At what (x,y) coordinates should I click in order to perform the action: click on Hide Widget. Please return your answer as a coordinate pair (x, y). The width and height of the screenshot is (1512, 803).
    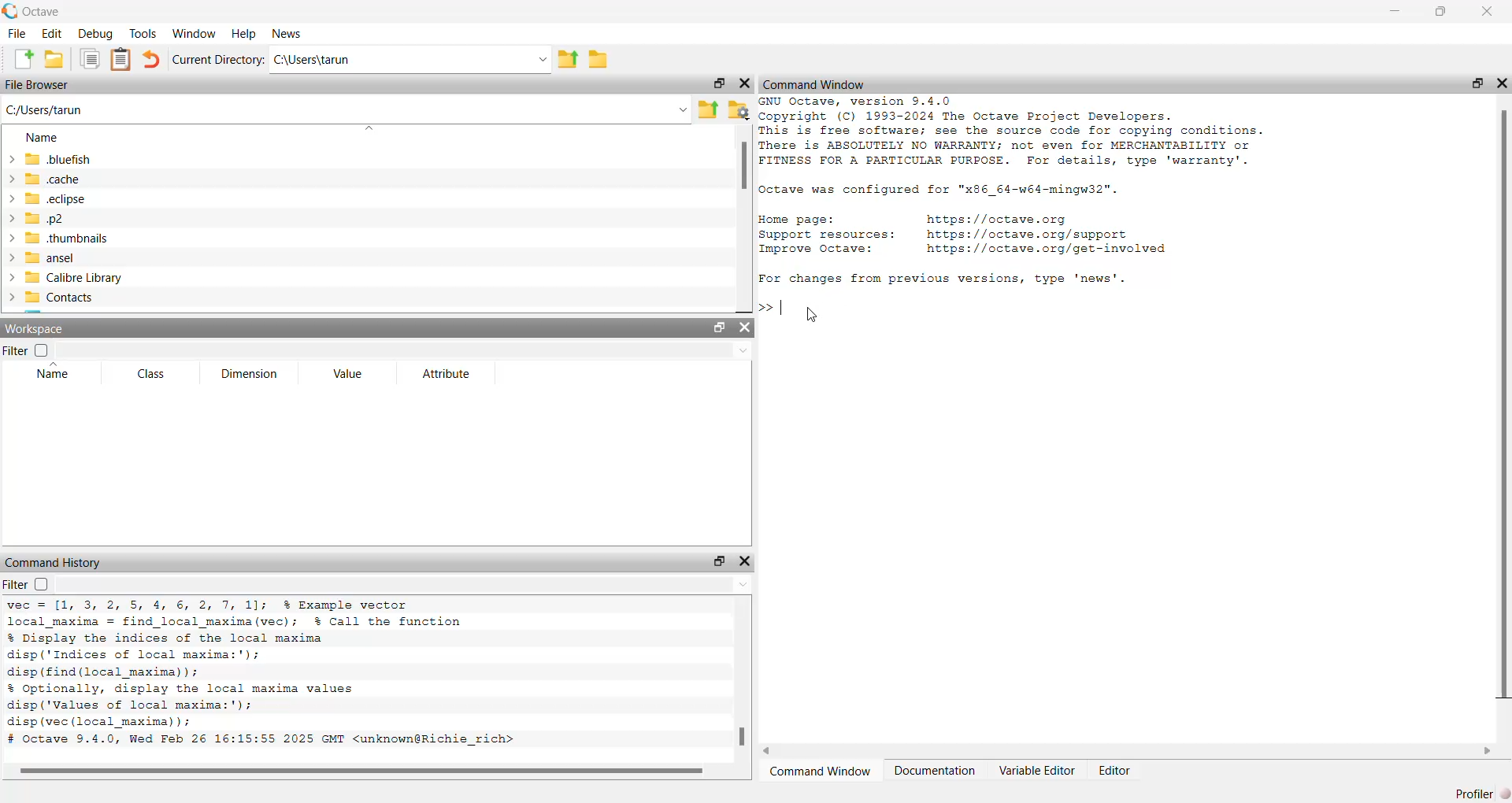
    Looking at the image, I should click on (744, 562).